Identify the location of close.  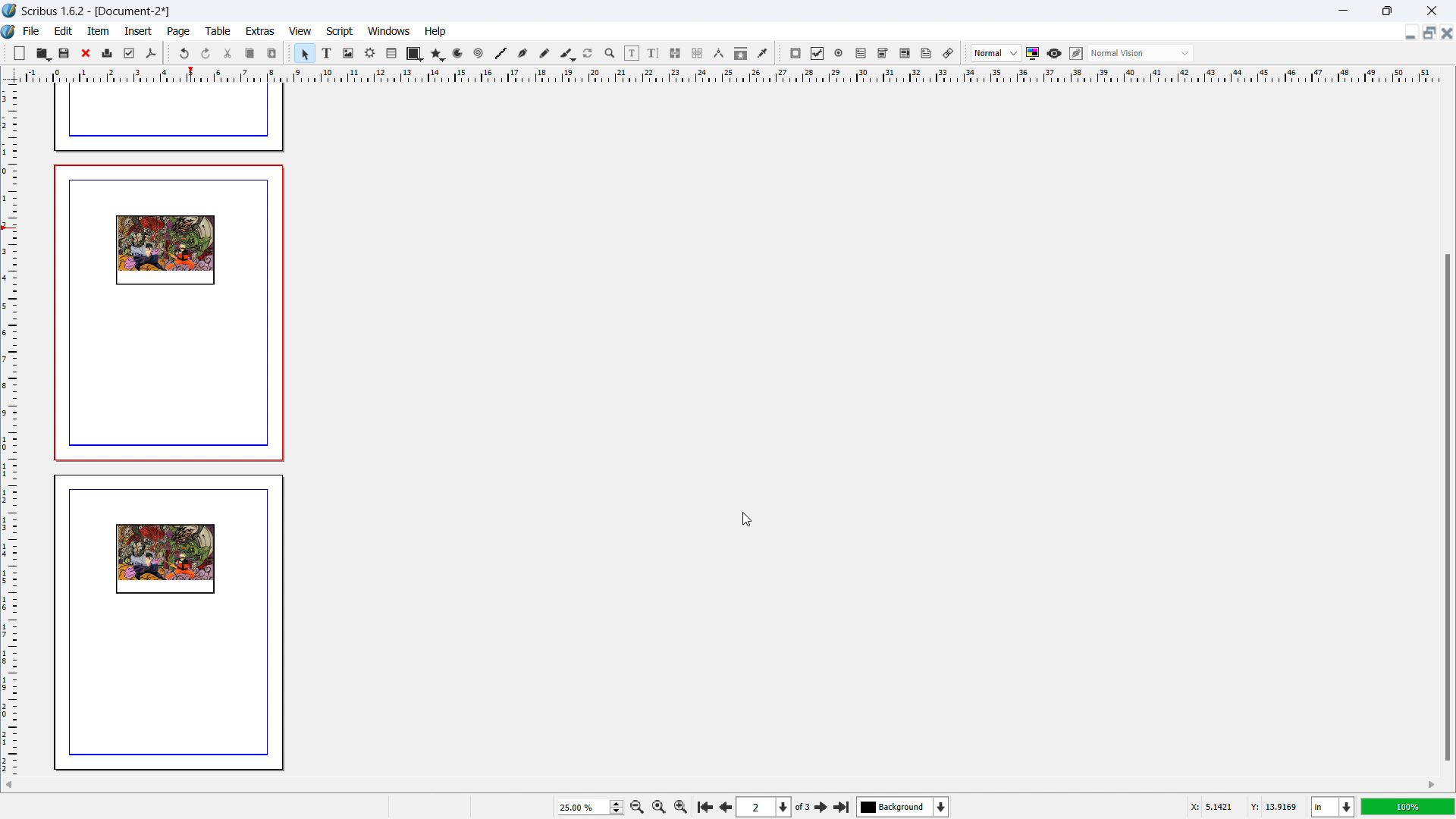
(87, 53).